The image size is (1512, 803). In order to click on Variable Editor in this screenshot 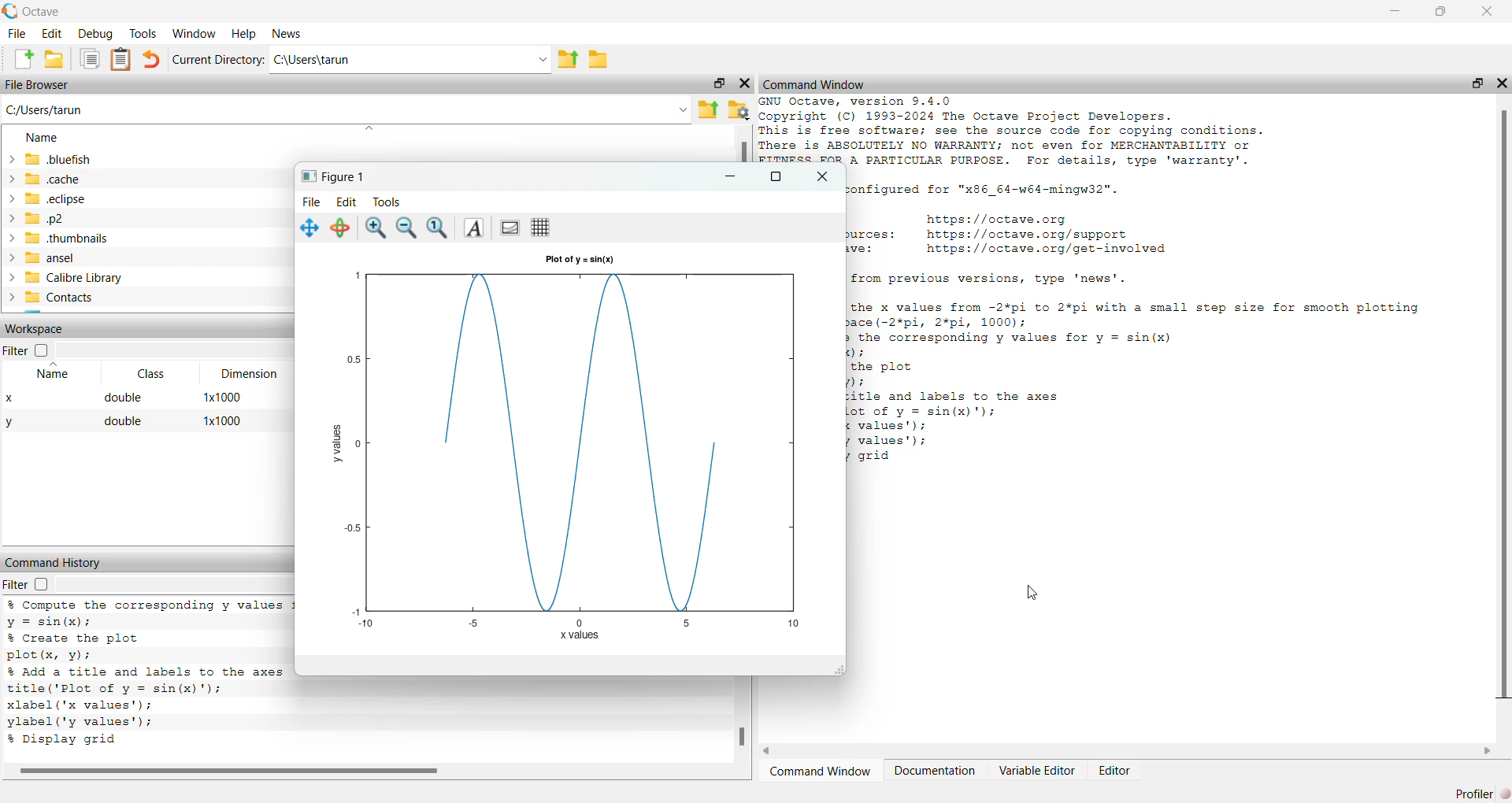, I will do `click(1036, 771)`.